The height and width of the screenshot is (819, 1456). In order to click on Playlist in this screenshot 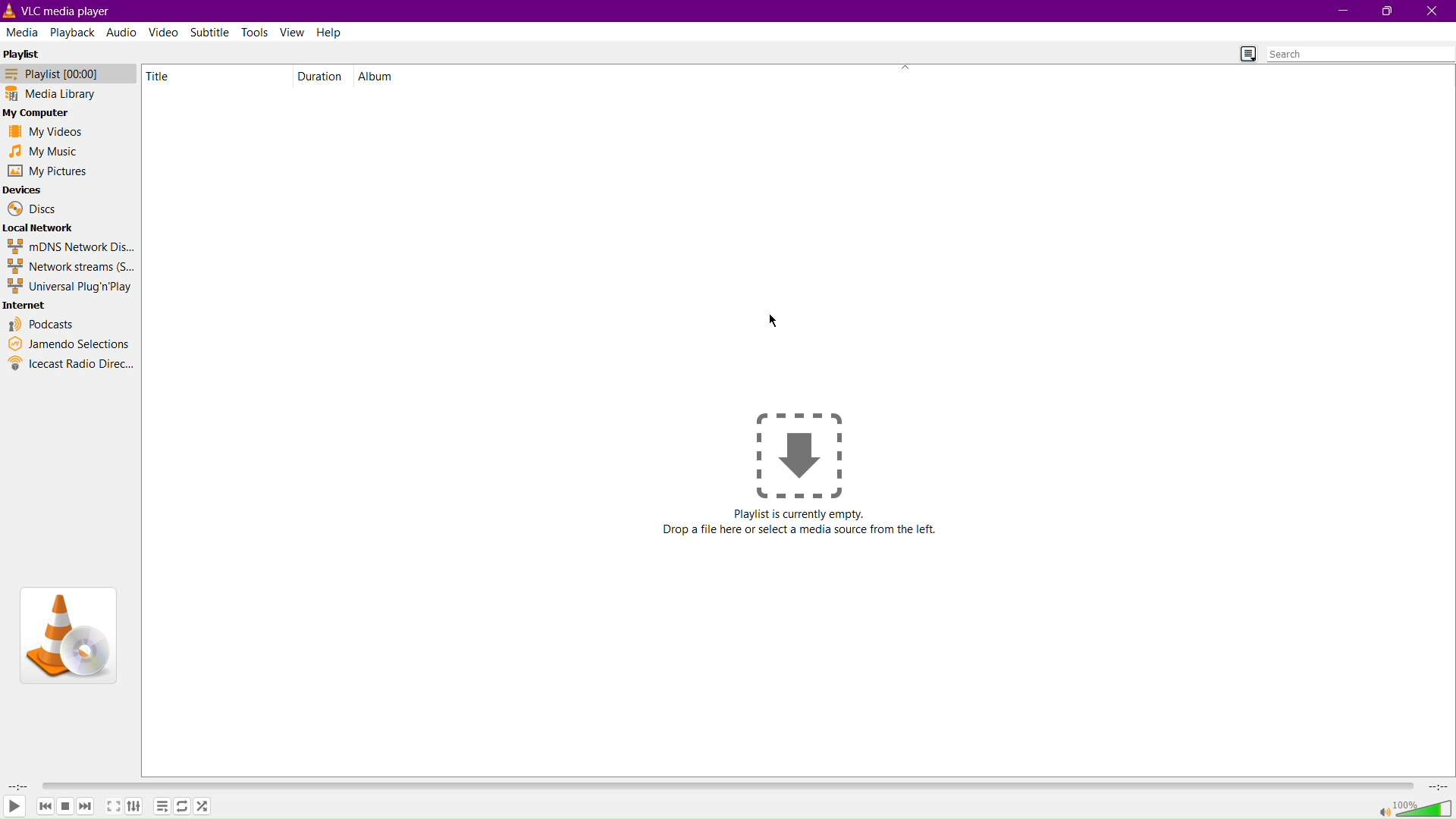, I will do `click(64, 74)`.